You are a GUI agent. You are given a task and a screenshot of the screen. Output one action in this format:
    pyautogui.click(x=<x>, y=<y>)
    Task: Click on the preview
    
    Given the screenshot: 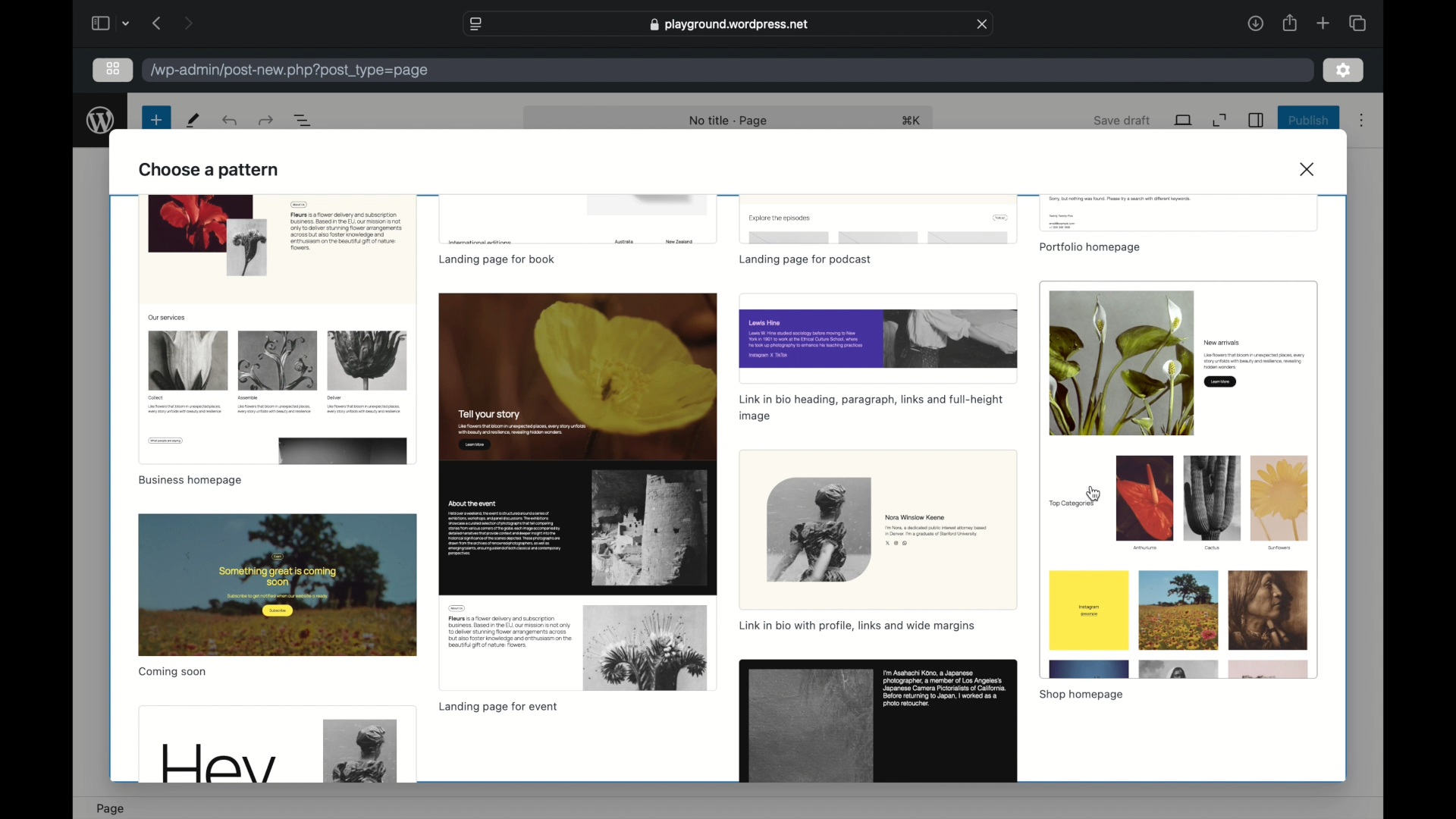 What is the action you would take?
    pyautogui.click(x=276, y=329)
    